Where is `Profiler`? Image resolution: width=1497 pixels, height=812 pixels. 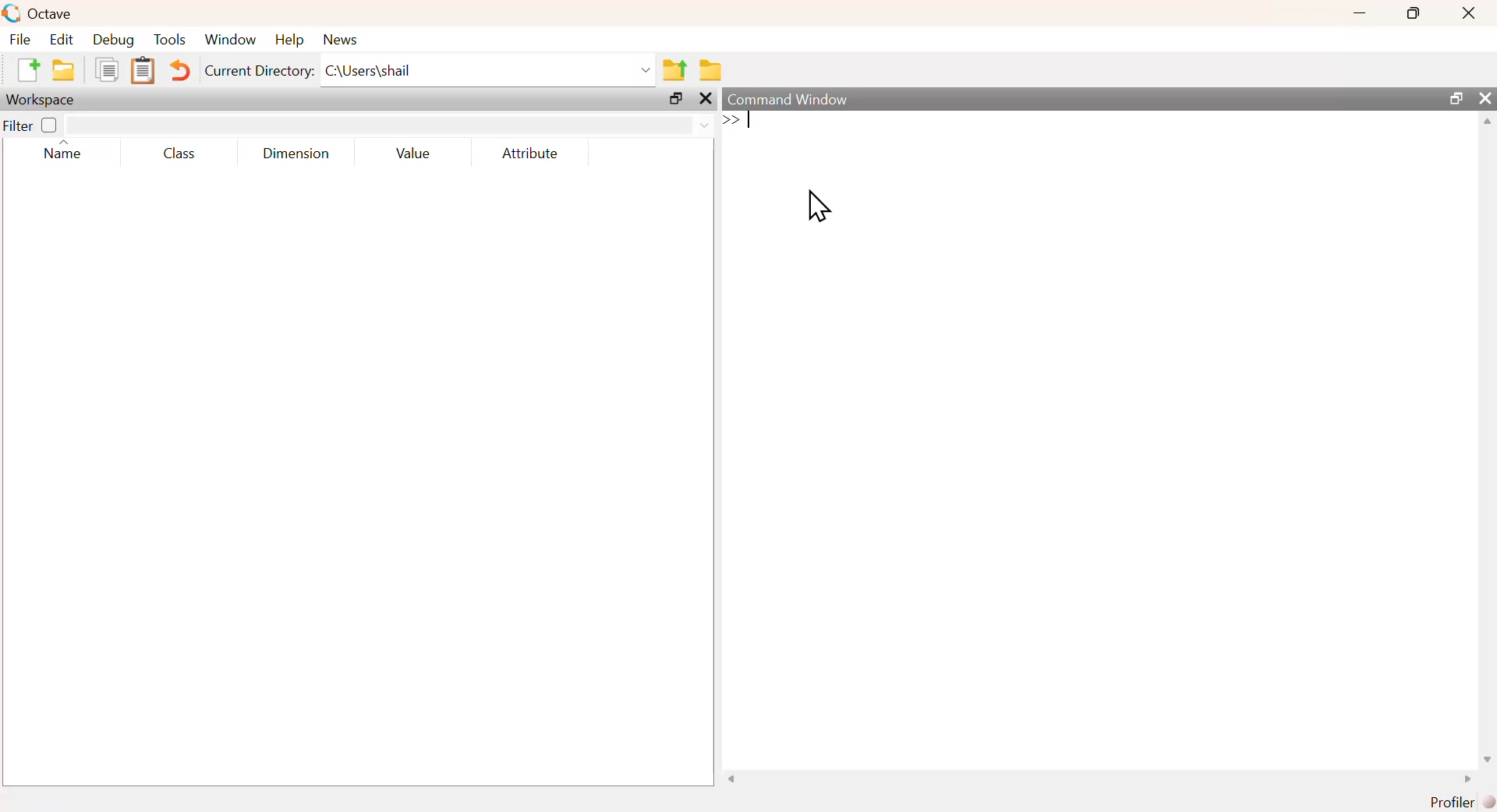
Profiler is located at coordinates (1462, 802).